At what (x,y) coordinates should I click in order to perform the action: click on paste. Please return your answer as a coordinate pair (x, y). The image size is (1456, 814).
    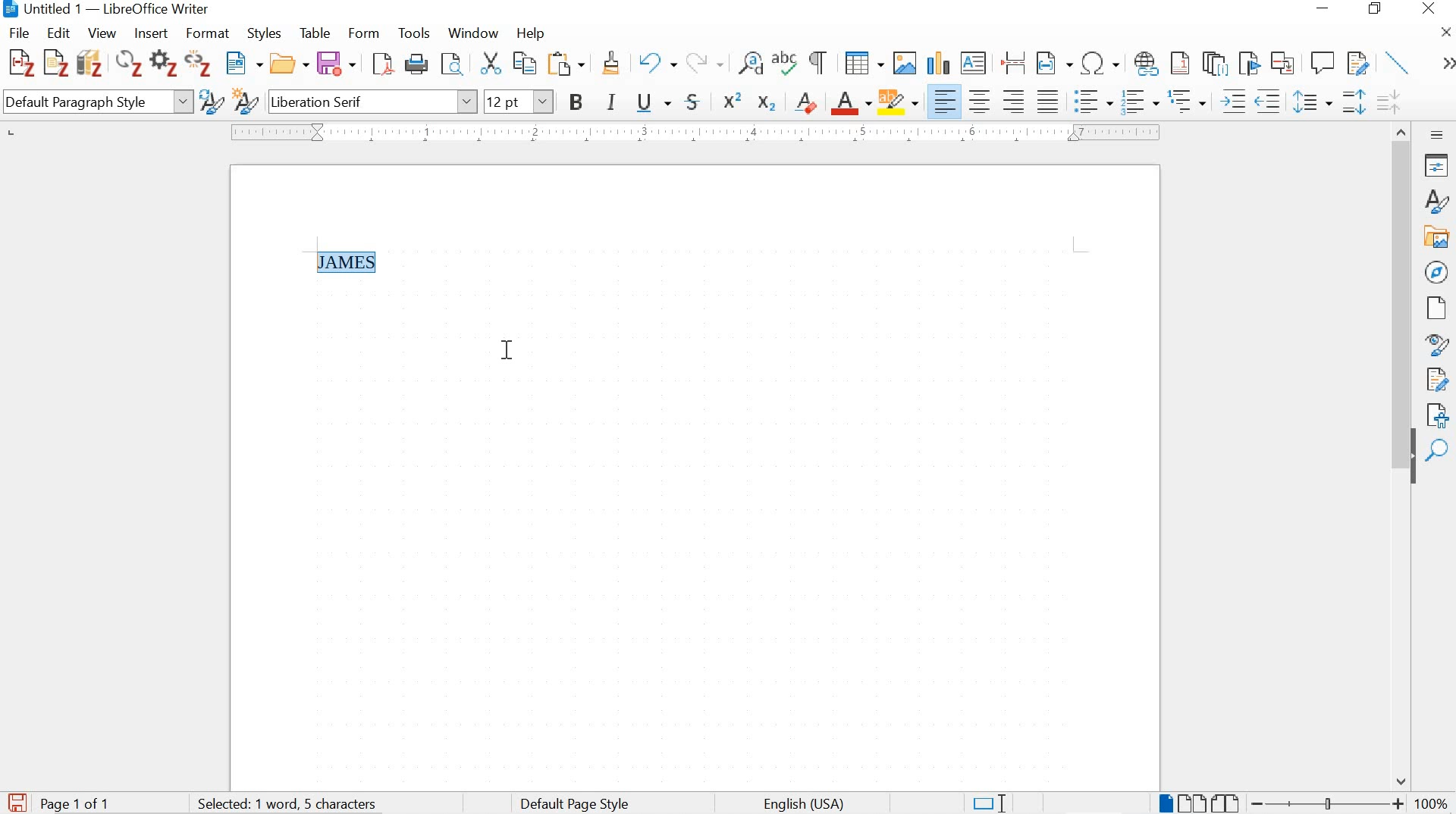
    Looking at the image, I should click on (570, 64).